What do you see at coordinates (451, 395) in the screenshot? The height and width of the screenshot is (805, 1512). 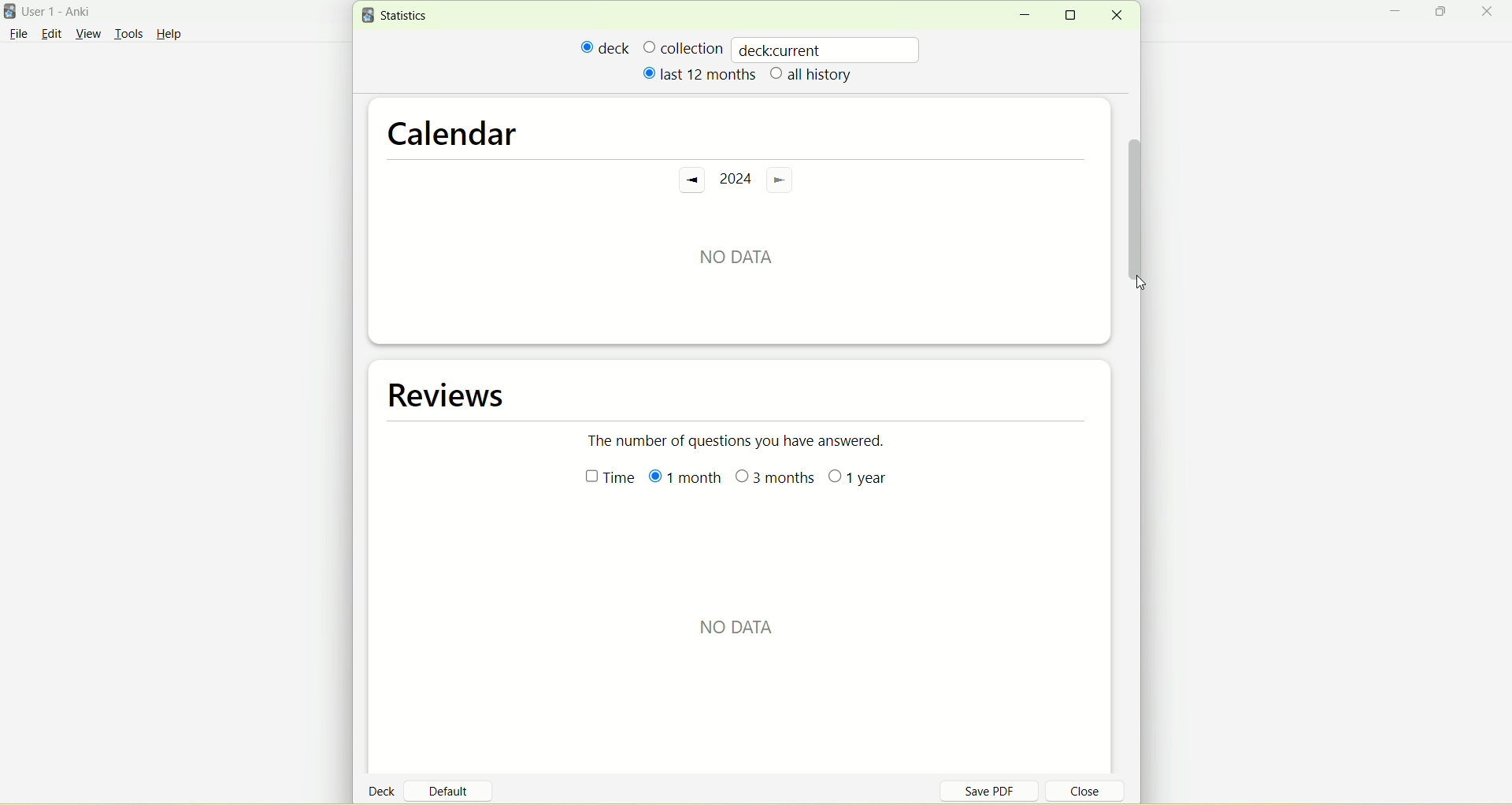 I see `reviews` at bounding box center [451, 395].